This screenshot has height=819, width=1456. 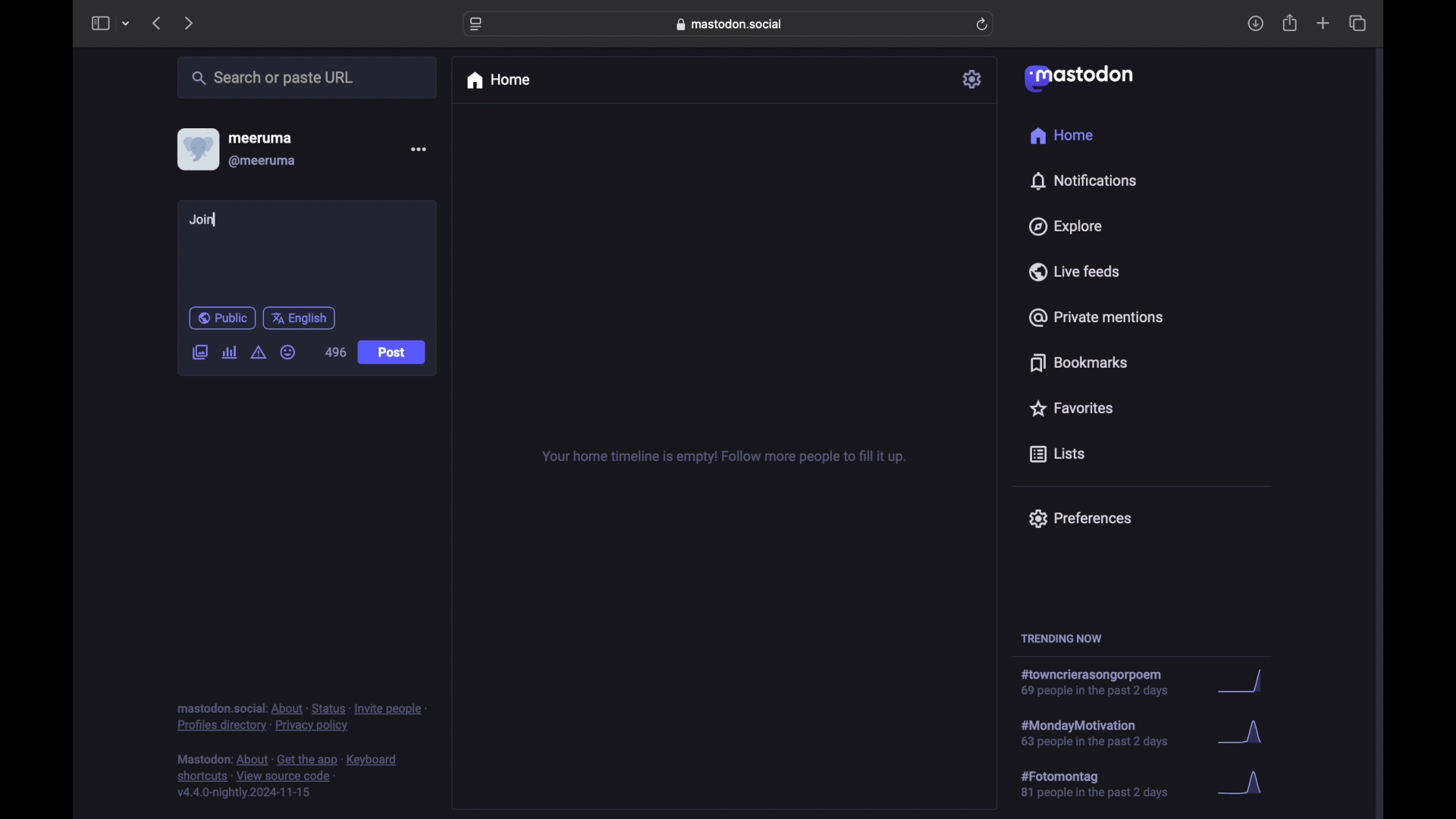 I want to click on 496, so click(x=335, y=353).